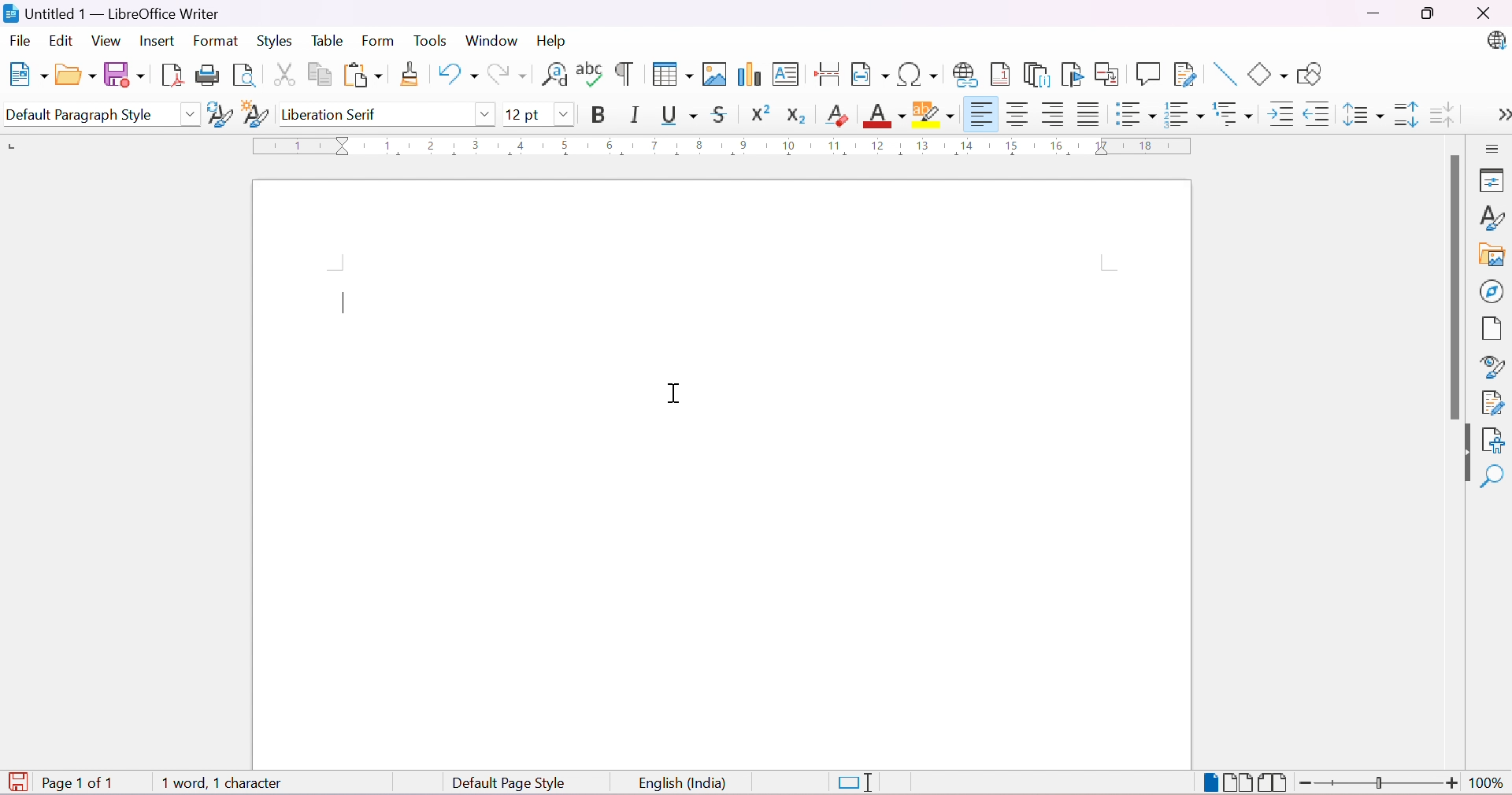 This screenshot has width=1512, height=795. What do you see at coordinates (564, 113) in the screenshot?
I see `Drop Down` at bounding box center [564, 113].